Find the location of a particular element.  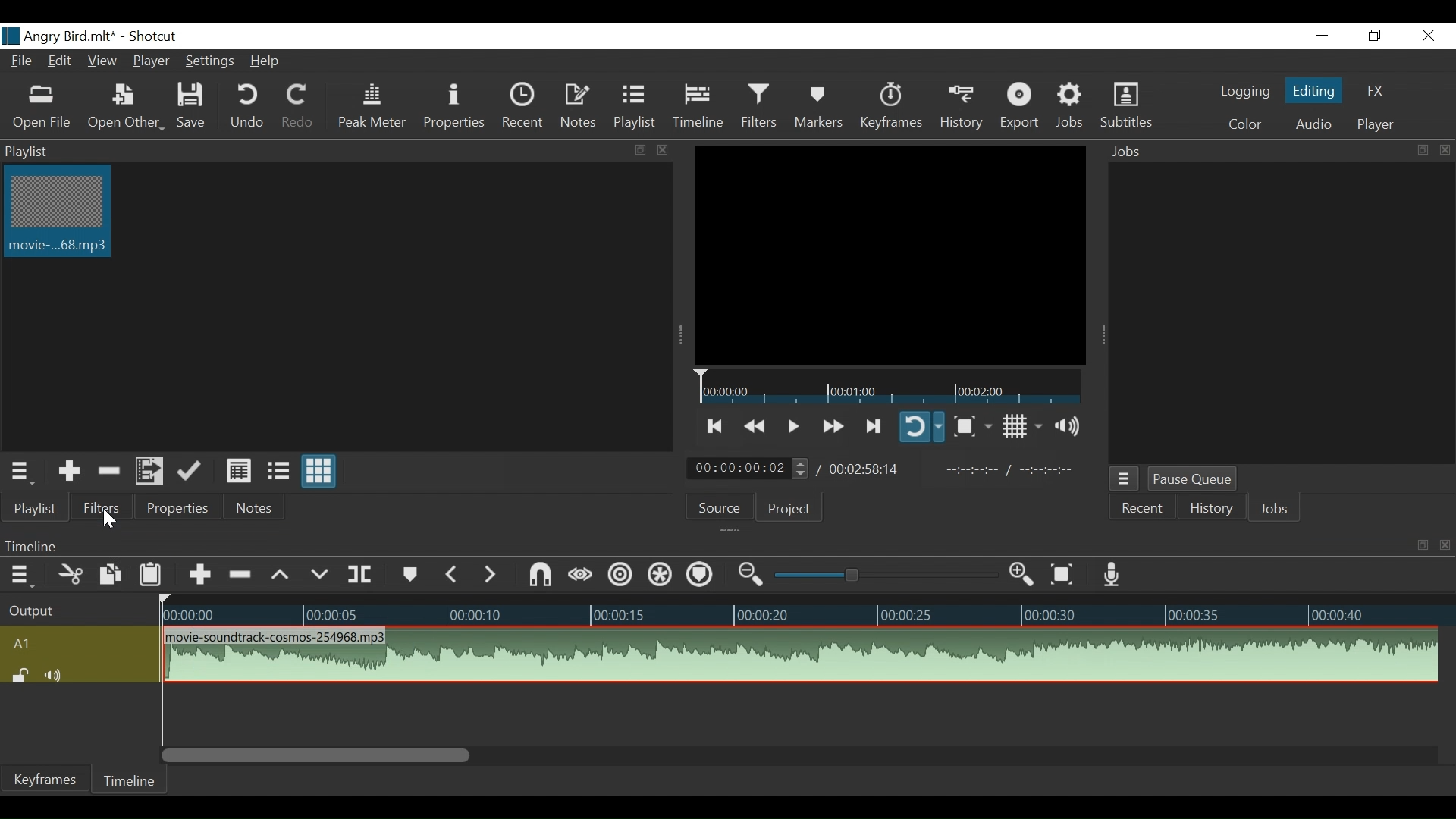

Ripple all tracks is located at coordinates (661, 576).